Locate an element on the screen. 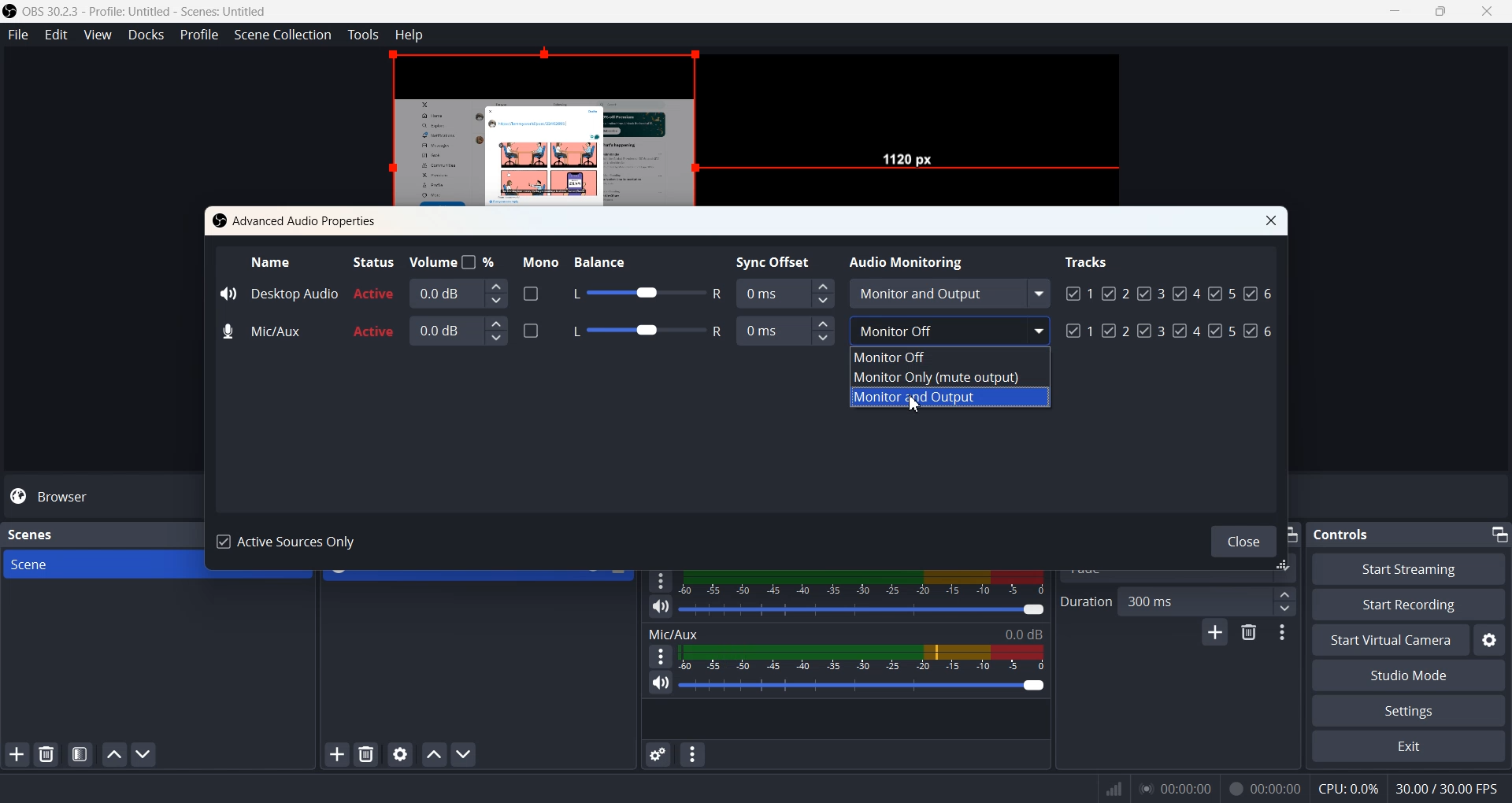  Profile is located at coordinates (200, 35).